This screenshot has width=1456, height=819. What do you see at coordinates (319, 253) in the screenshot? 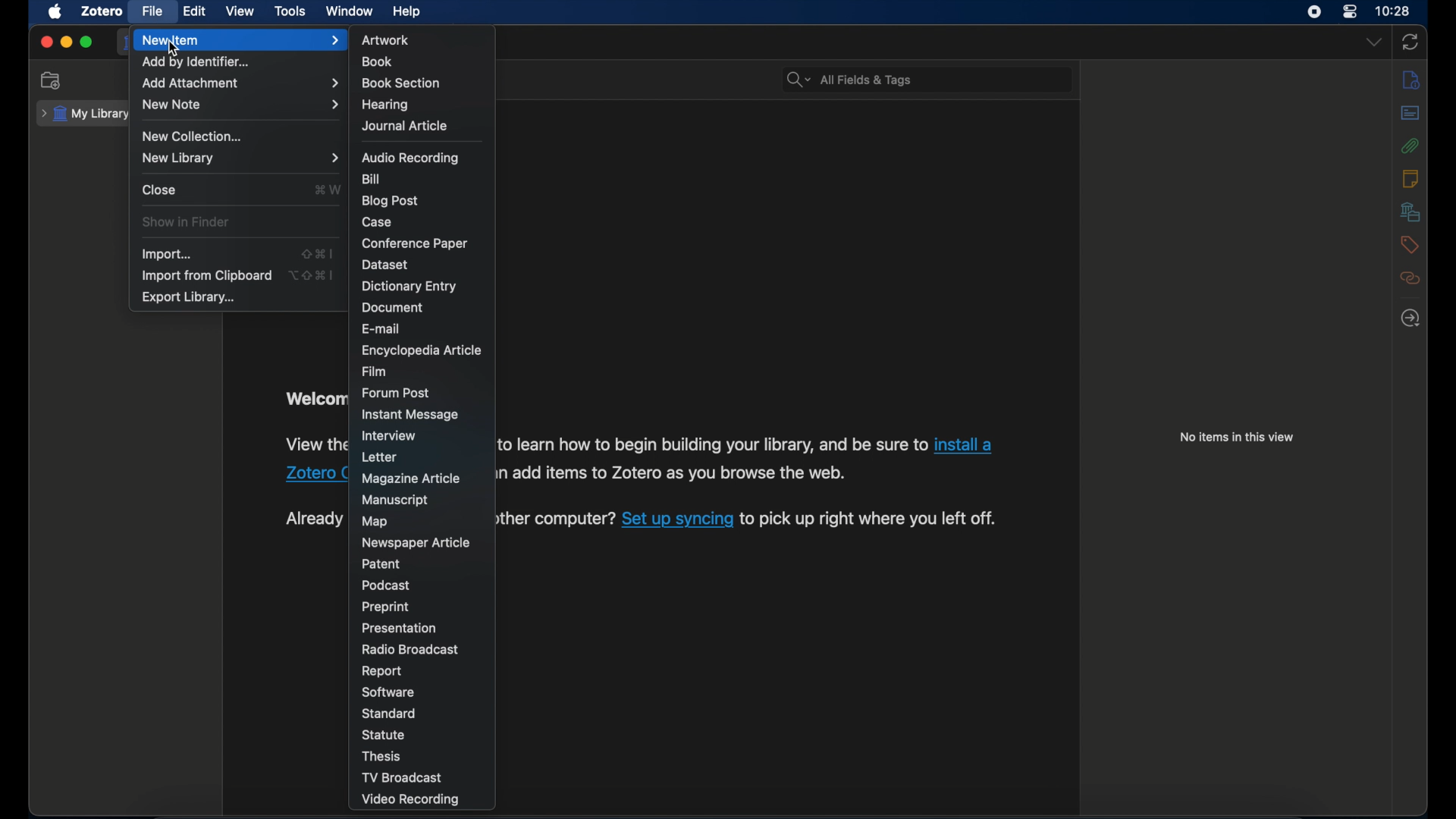
I see `shortcut` at bounding box center [319, 253].